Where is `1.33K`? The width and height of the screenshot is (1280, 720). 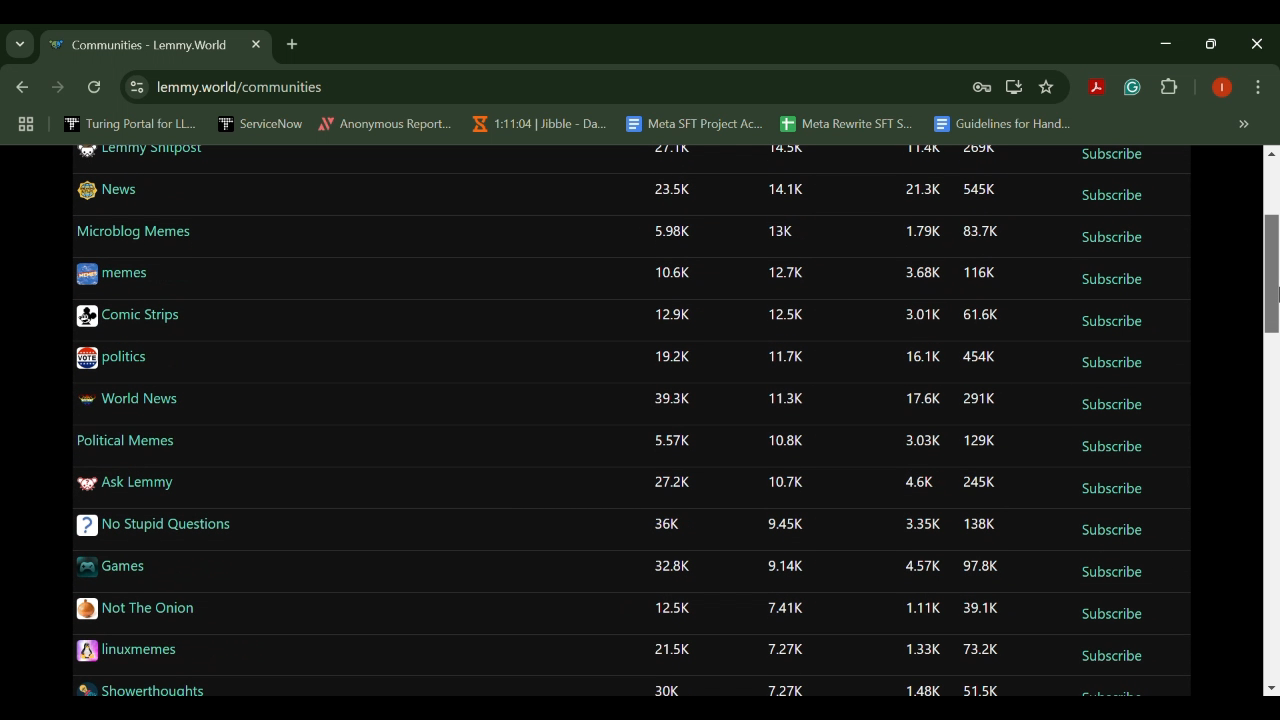 1.33K is located at coordinates (923, 651).